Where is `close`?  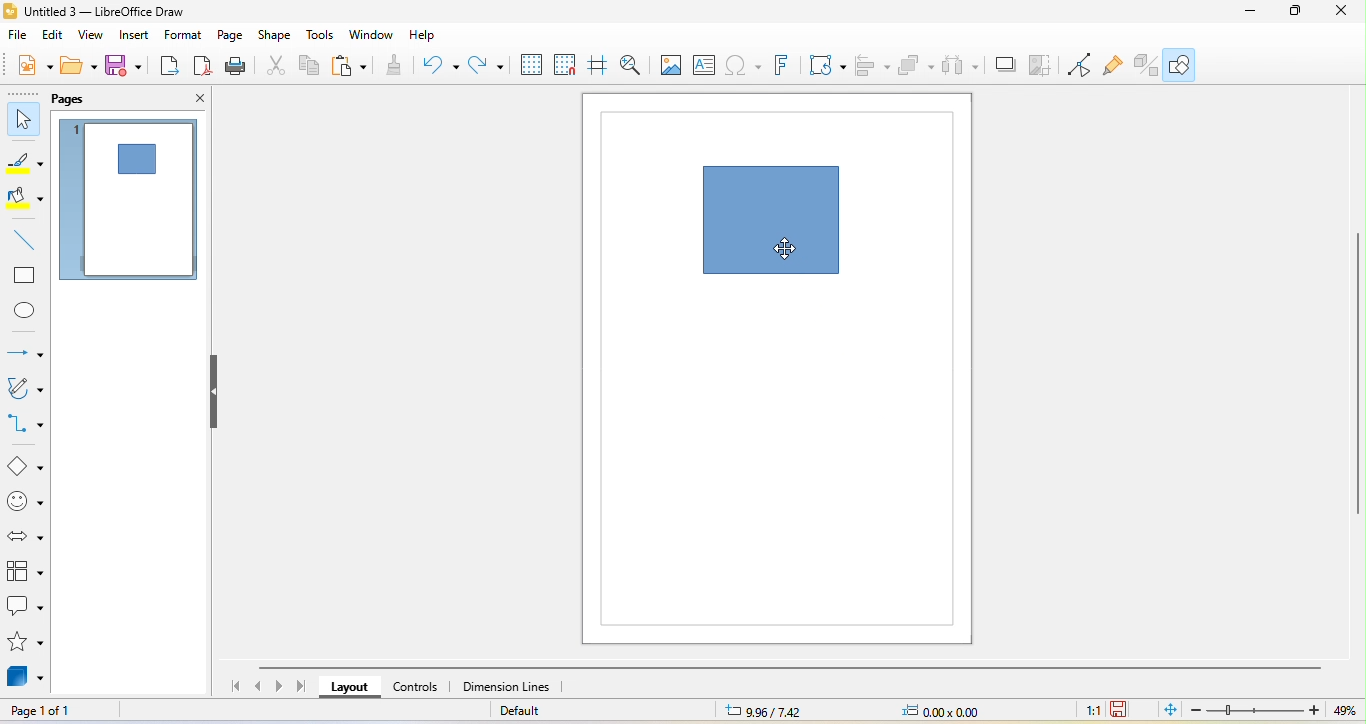 close is located at coordinates (1346, 15).